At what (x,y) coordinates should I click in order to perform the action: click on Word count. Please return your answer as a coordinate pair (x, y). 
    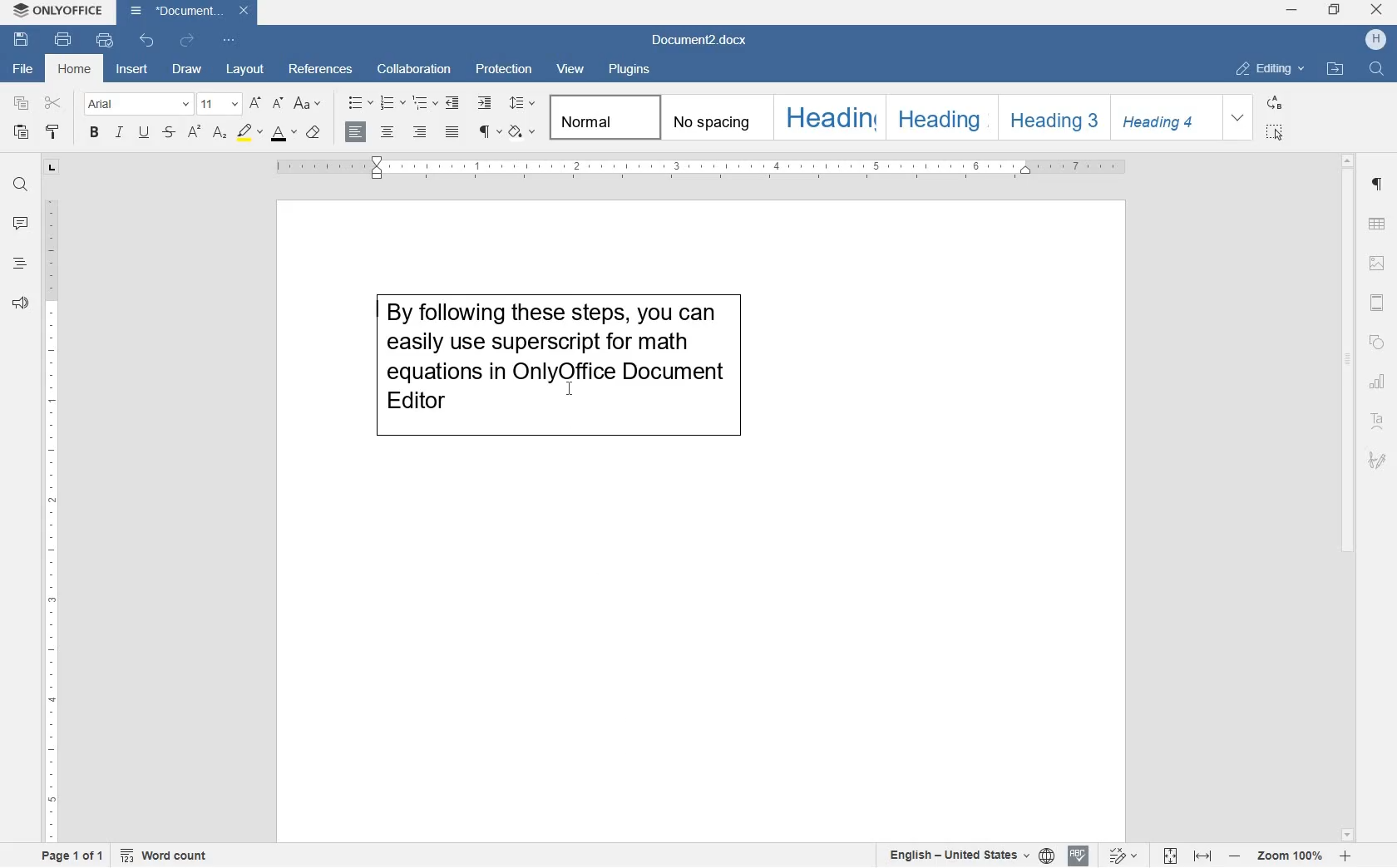
    Looking at the image, I should click on (163, 856).